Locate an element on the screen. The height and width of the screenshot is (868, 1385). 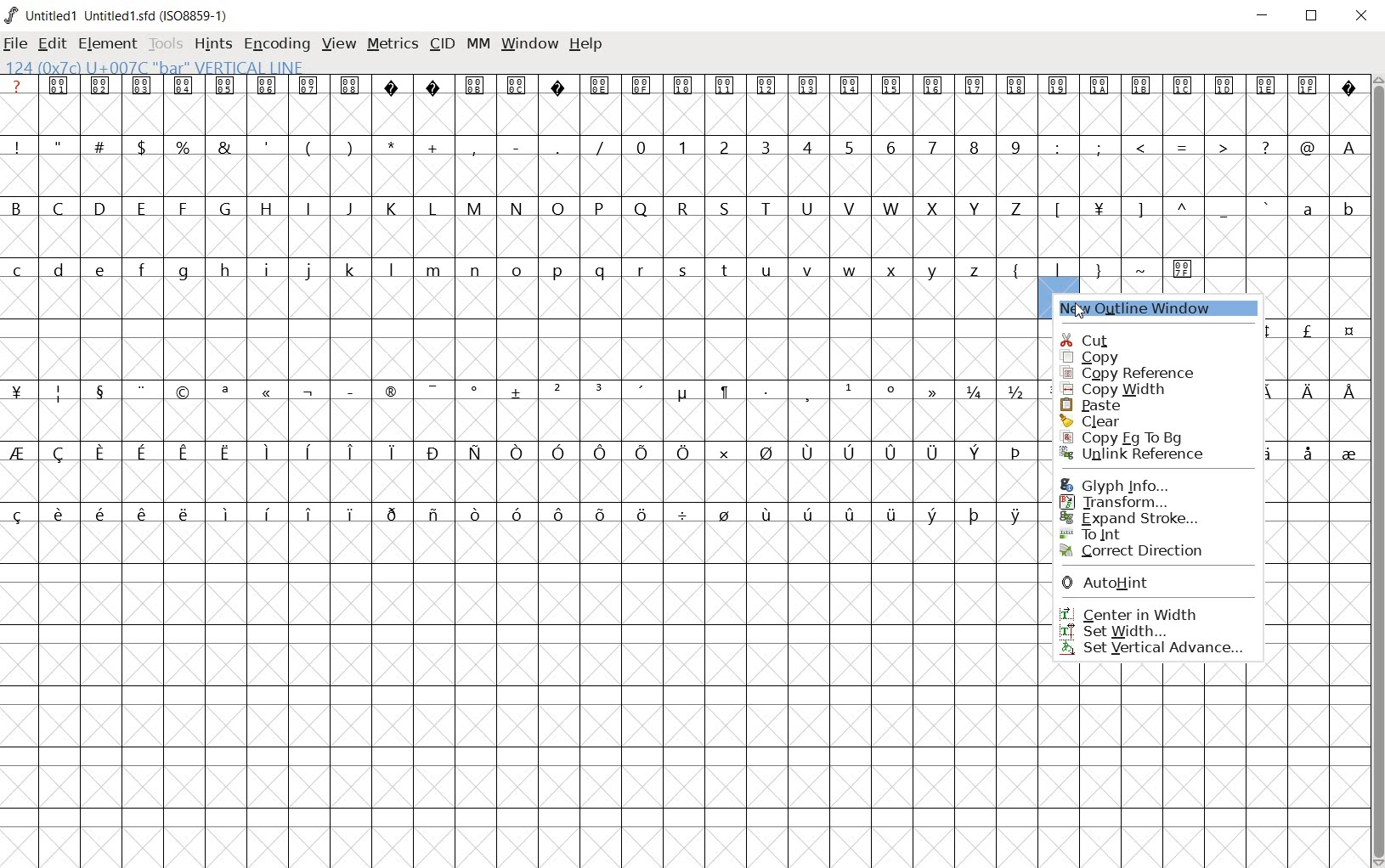
file is located at coordinates (14, 45).